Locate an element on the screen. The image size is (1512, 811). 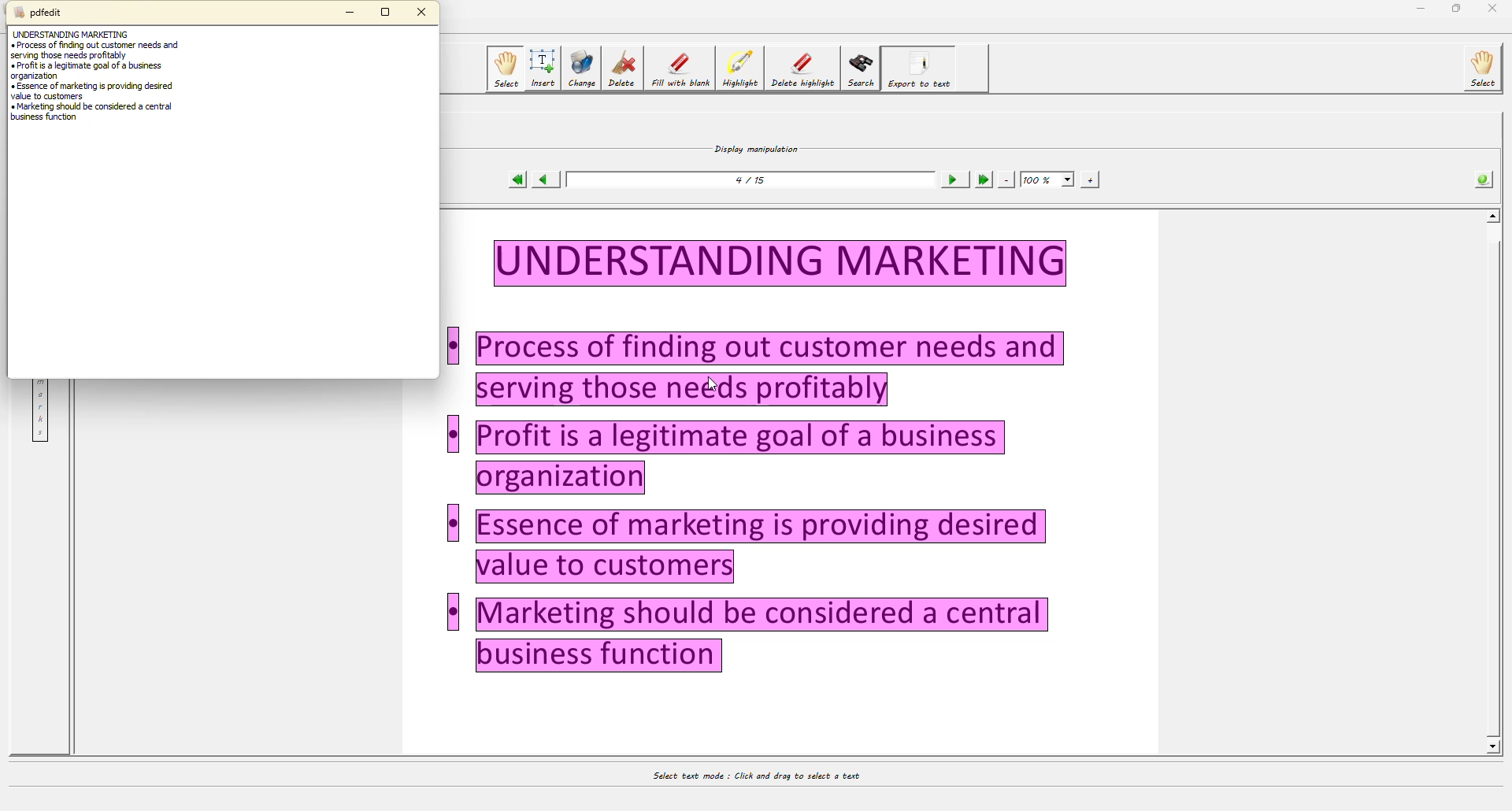
highlight is located at coordinates (743, 68).